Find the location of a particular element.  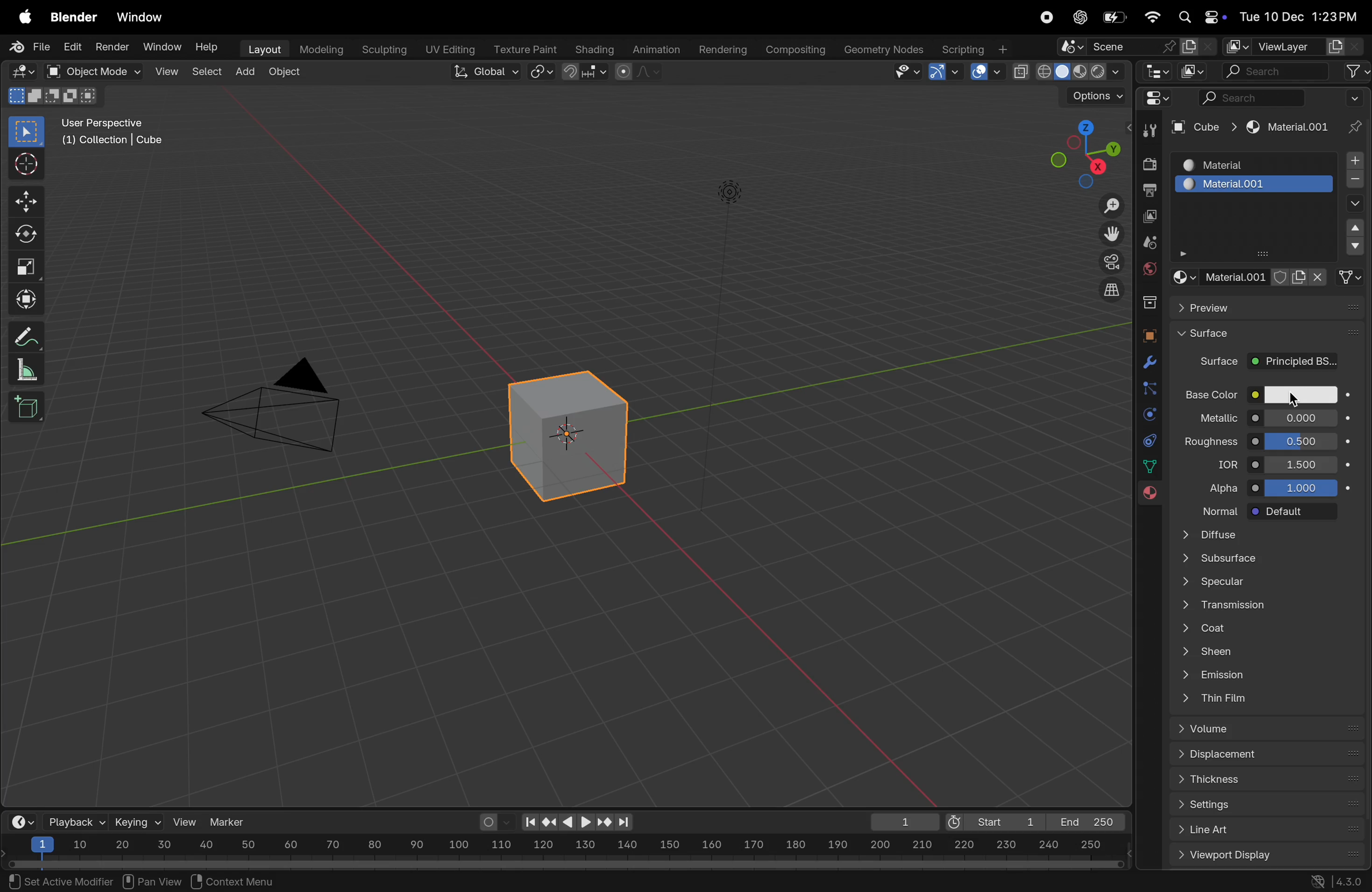

annotate is located at coordinates (22, 336).